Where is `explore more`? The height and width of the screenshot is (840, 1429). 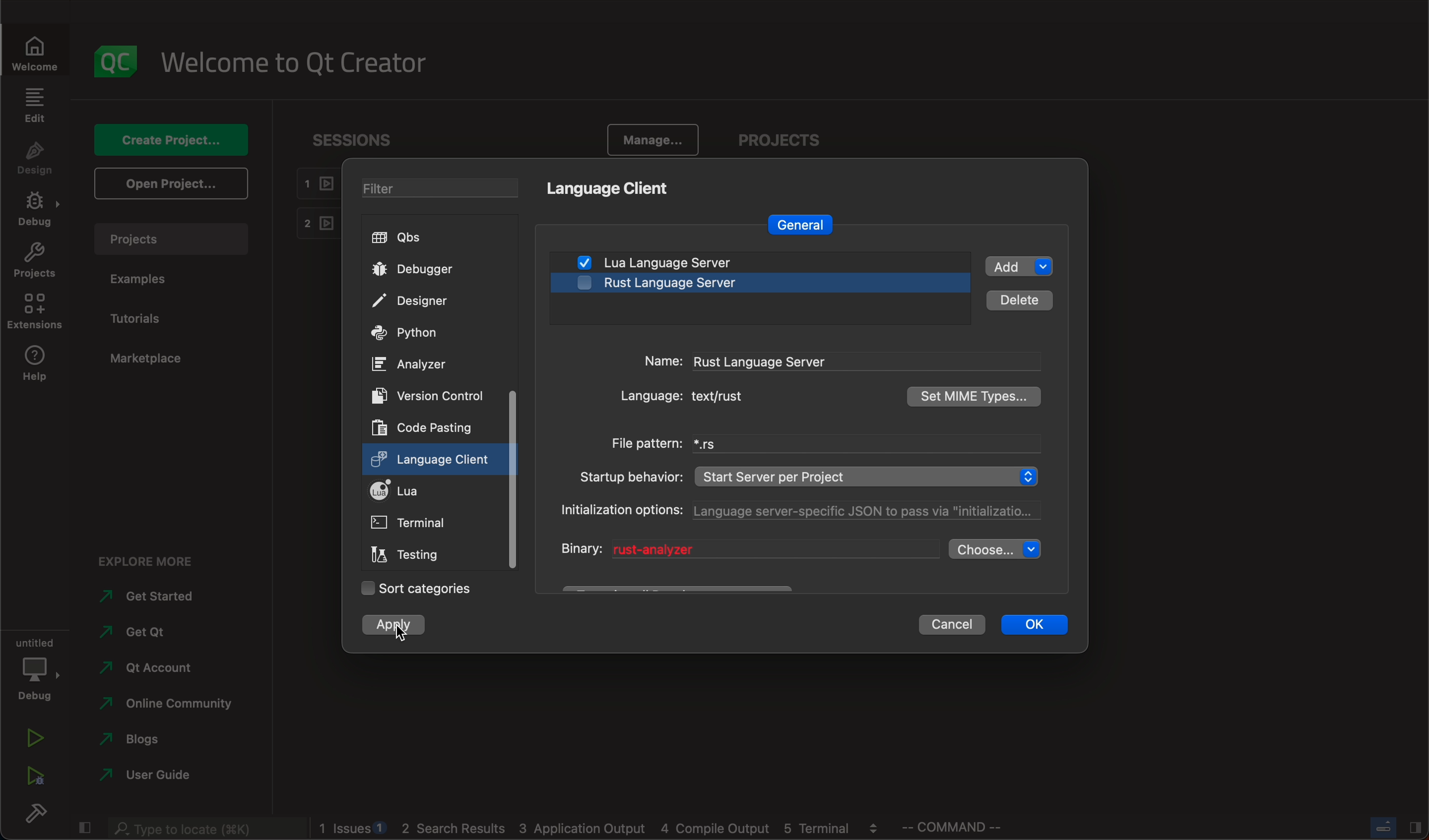
explore more is located at coordinates (157, 559).